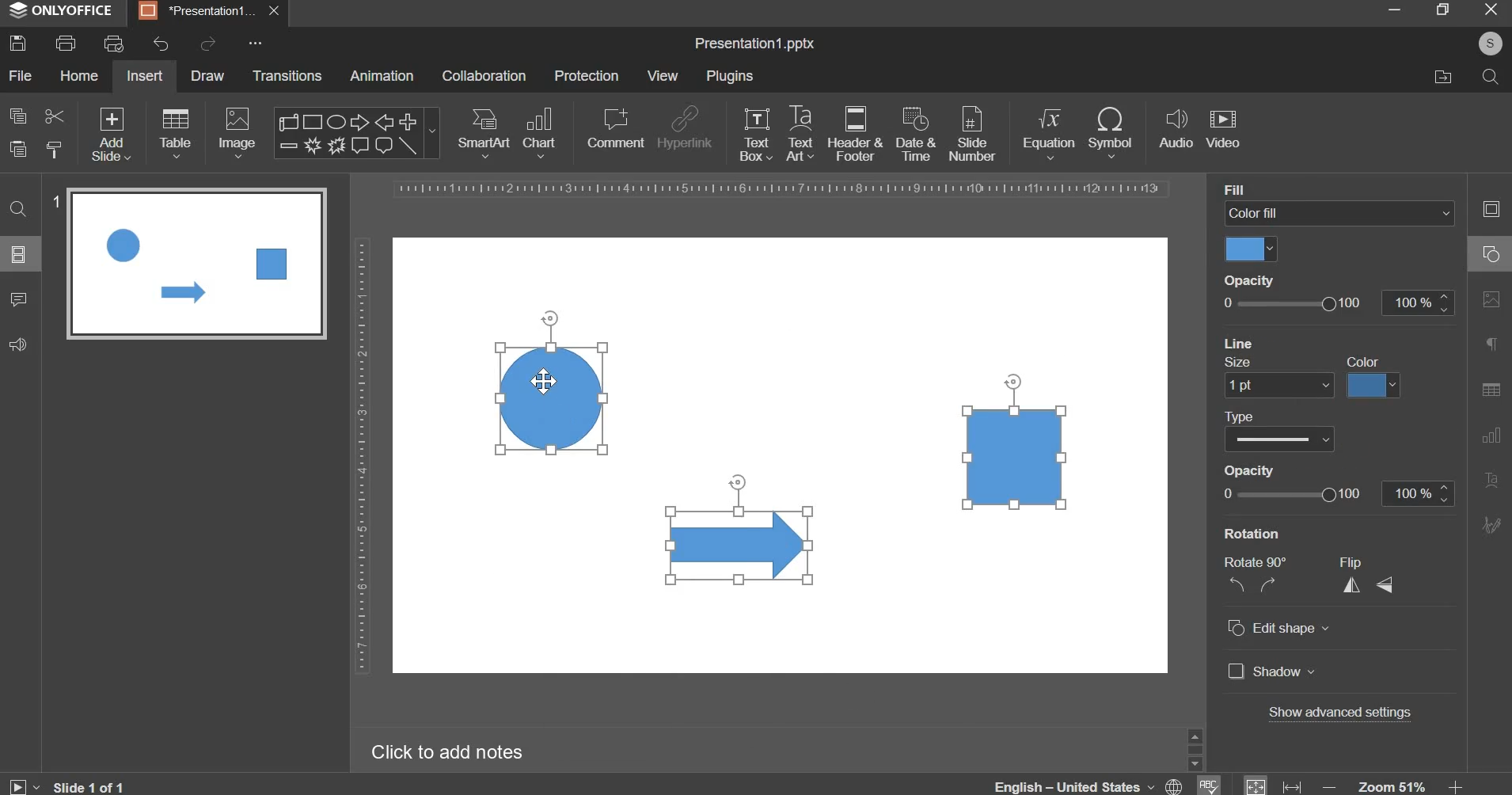 Image resolution: width=1512 pixels, height=795 pixels. What do you see at coordinates (145, 75) in the screenshot?
I see `insert` at bounding box center [145, 75].